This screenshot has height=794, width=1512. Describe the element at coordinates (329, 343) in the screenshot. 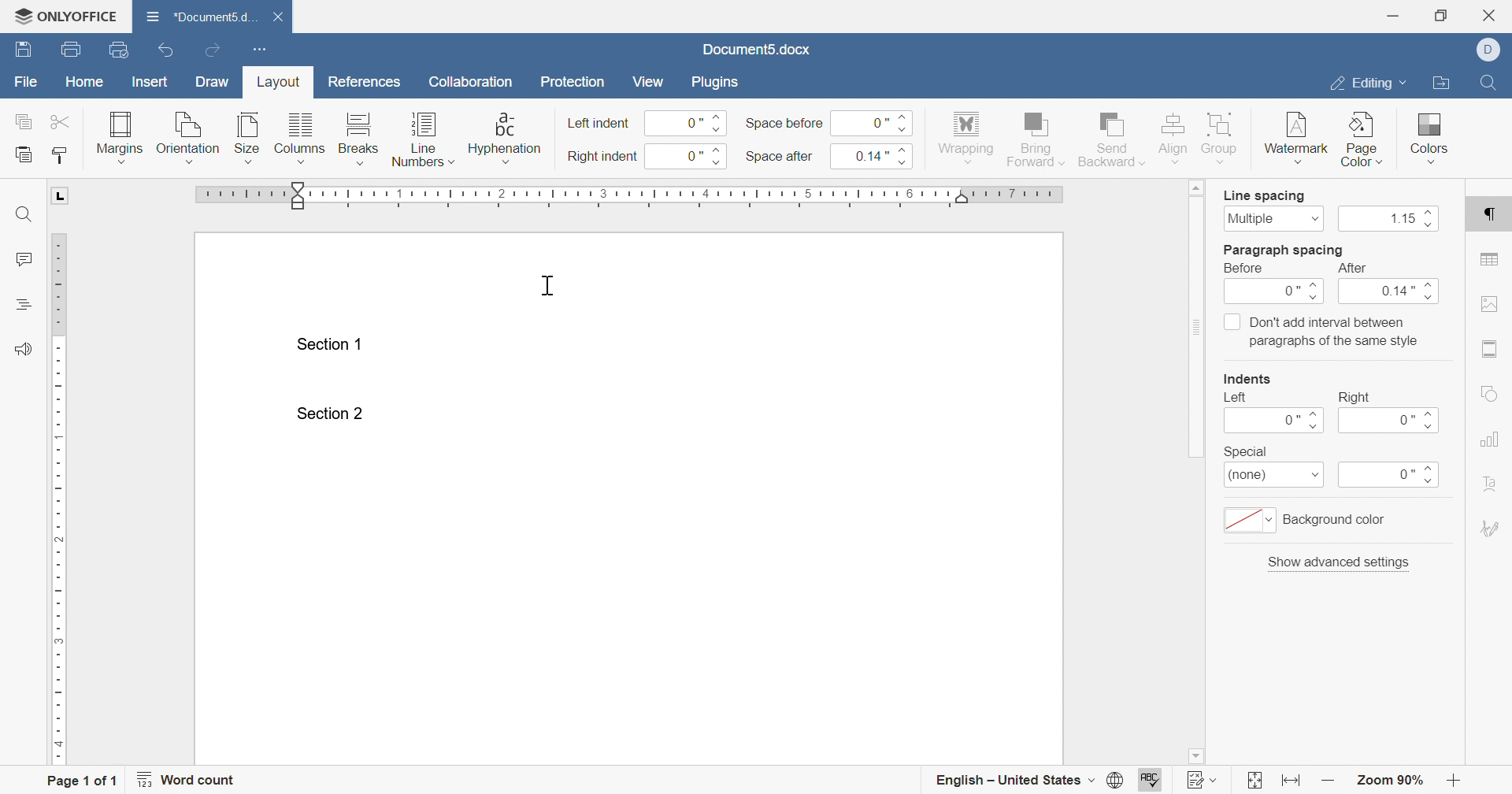

I see `Section 1` at that location.